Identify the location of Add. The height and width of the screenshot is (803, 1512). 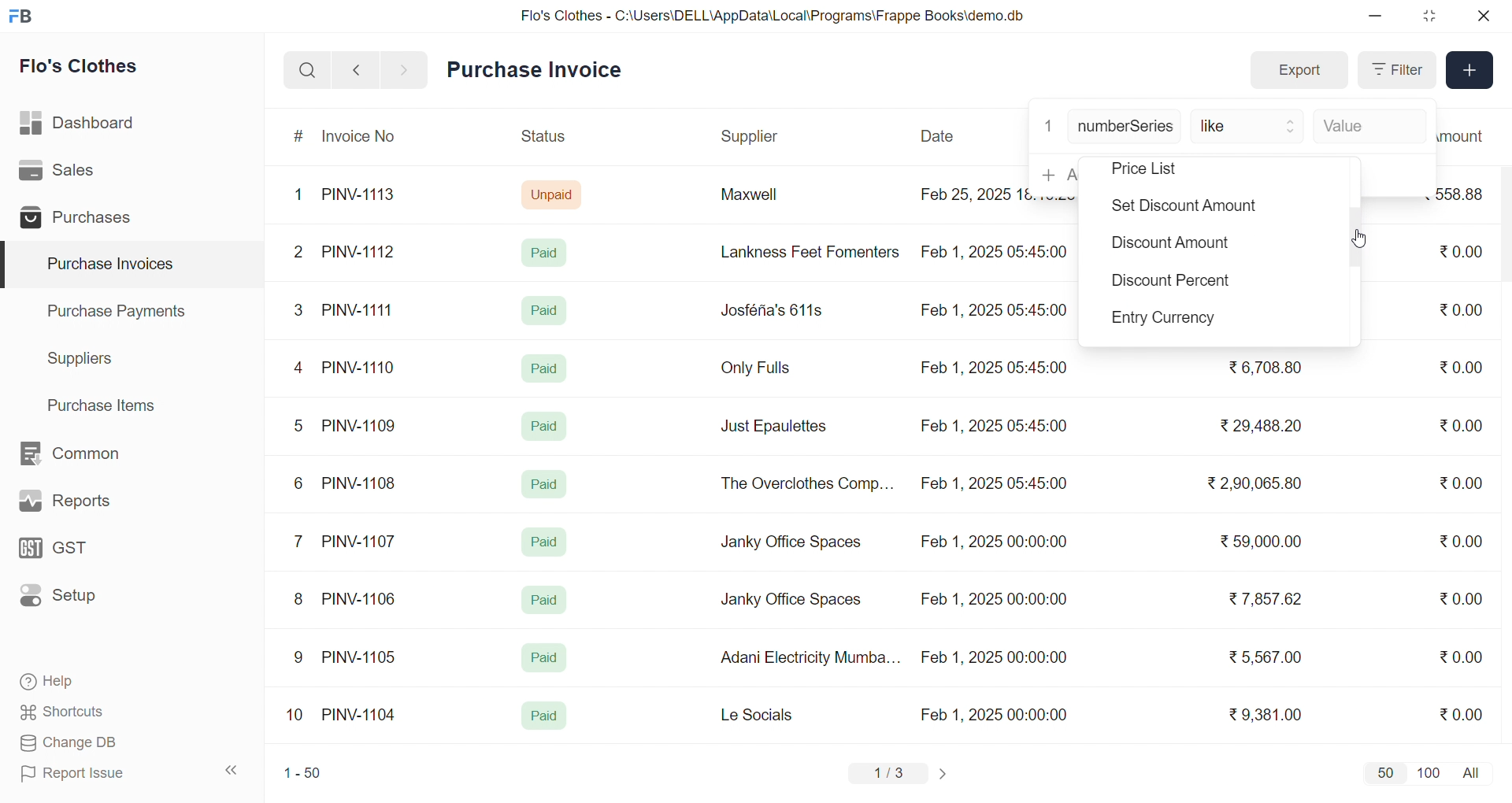
(1470, 71).